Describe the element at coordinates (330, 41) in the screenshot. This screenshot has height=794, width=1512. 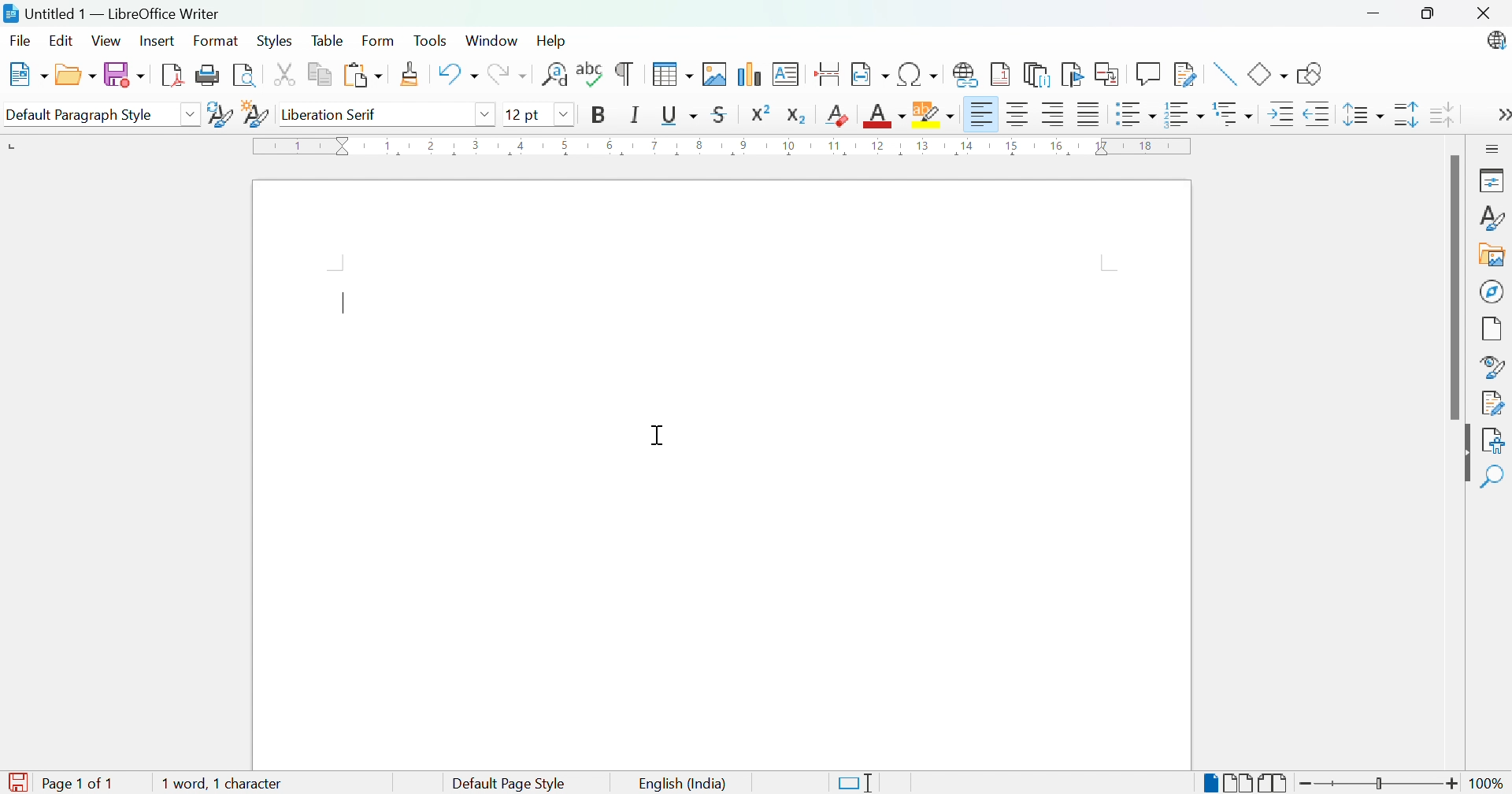
I see `Table` at that location.